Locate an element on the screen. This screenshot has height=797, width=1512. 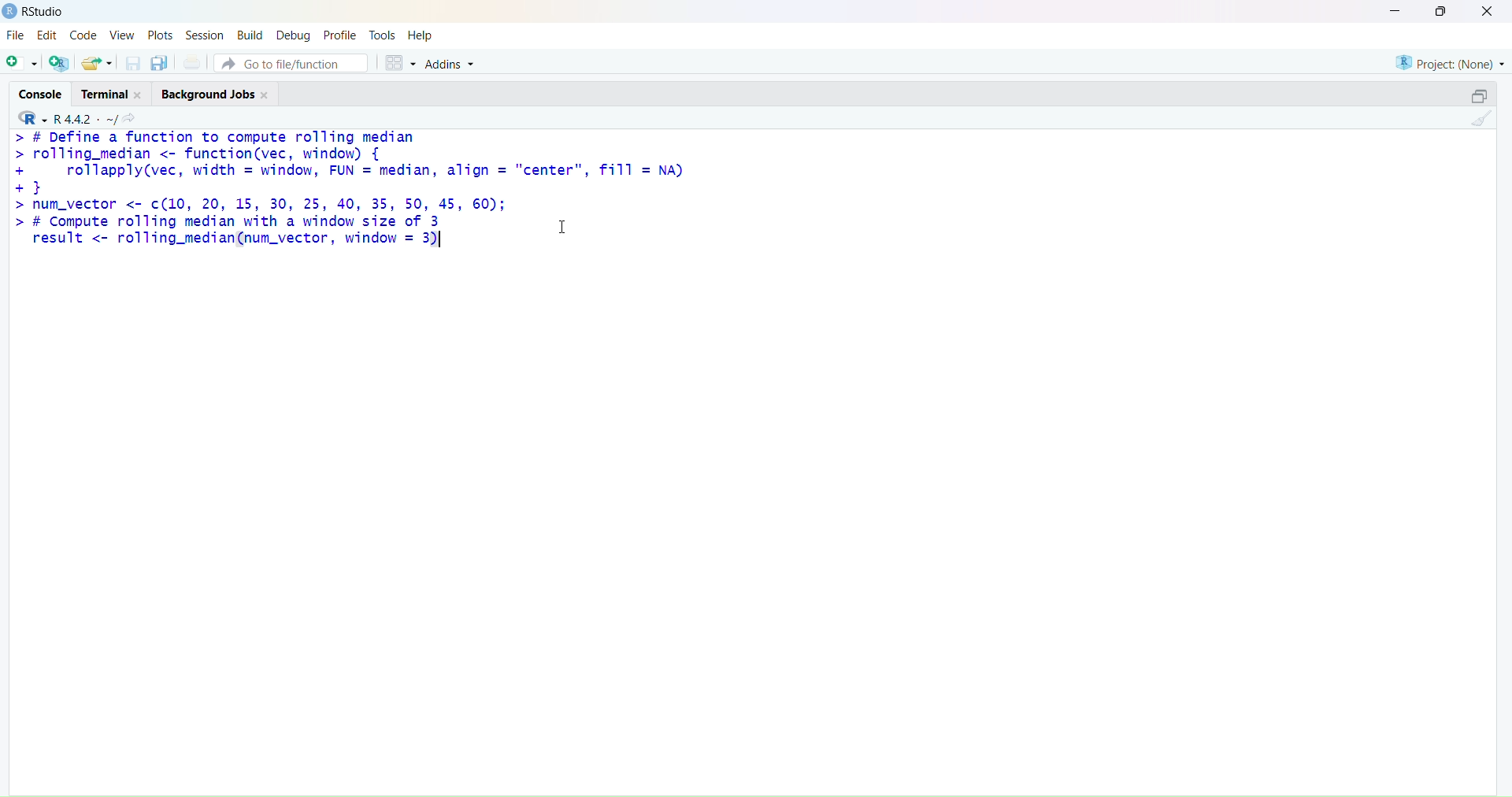
cursor is located at coordinates (564, 226).